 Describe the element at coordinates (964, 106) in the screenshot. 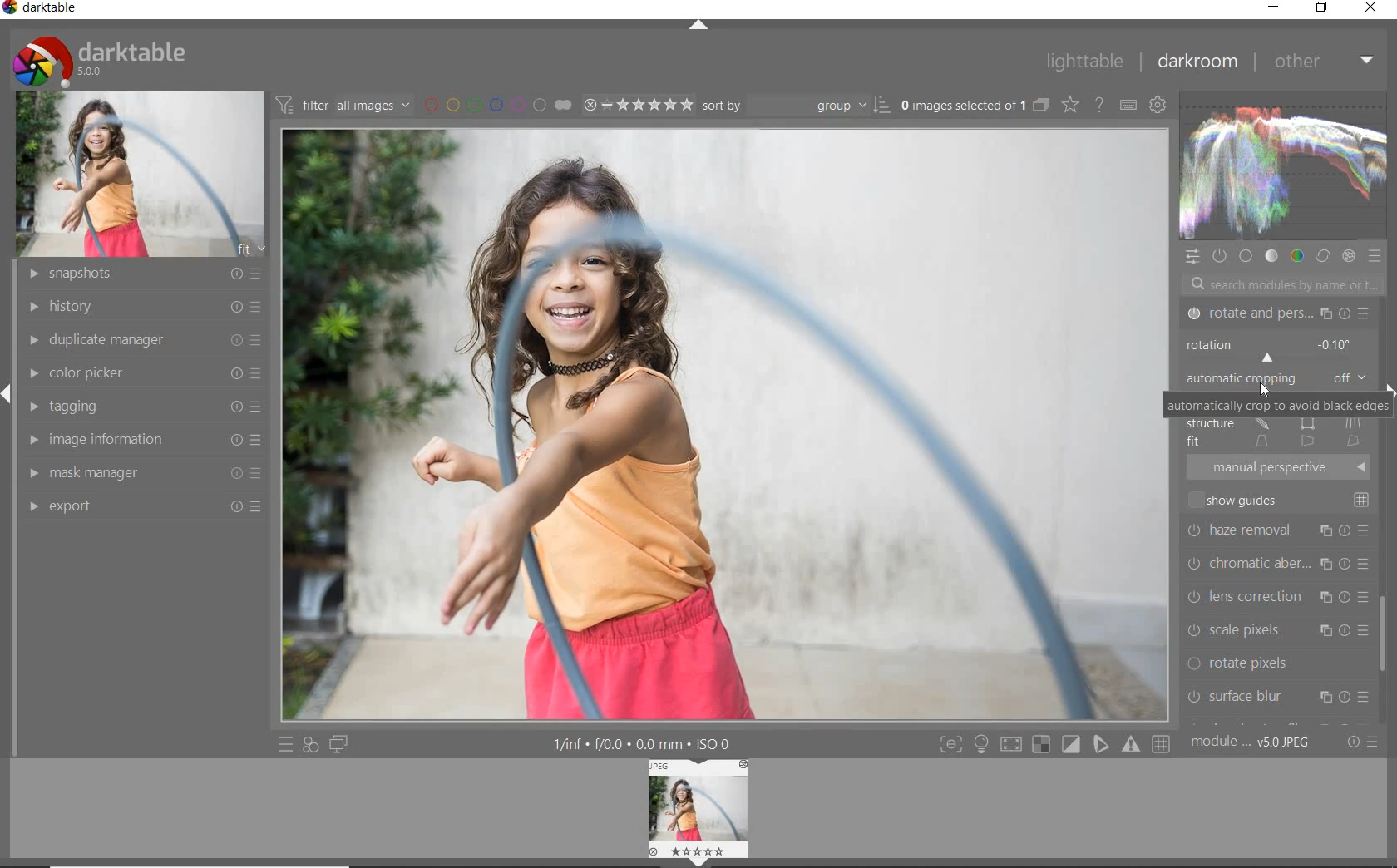

I see `selected images` at that location.